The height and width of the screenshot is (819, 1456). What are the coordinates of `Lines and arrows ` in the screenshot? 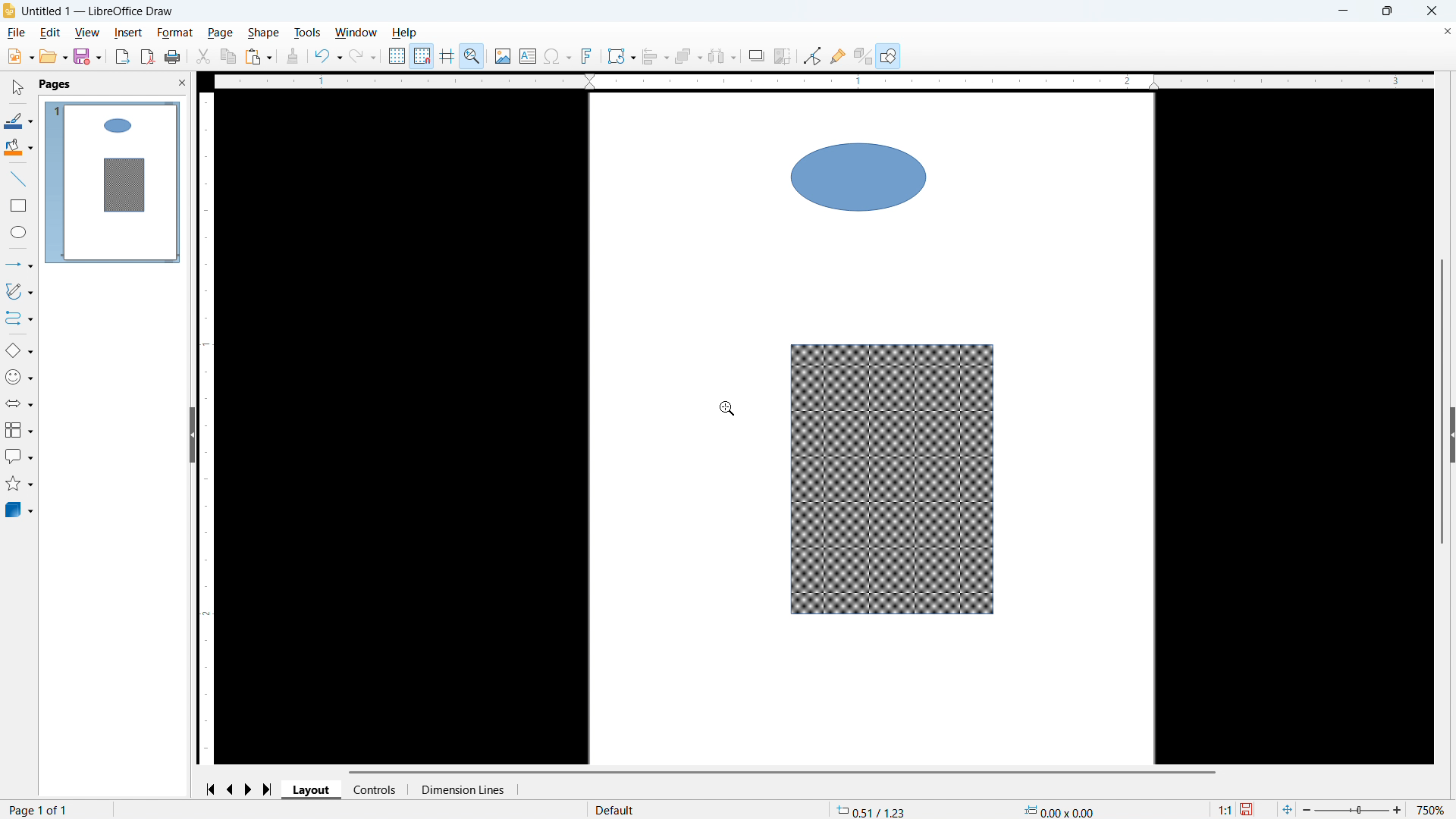 It's located at (20, 264).